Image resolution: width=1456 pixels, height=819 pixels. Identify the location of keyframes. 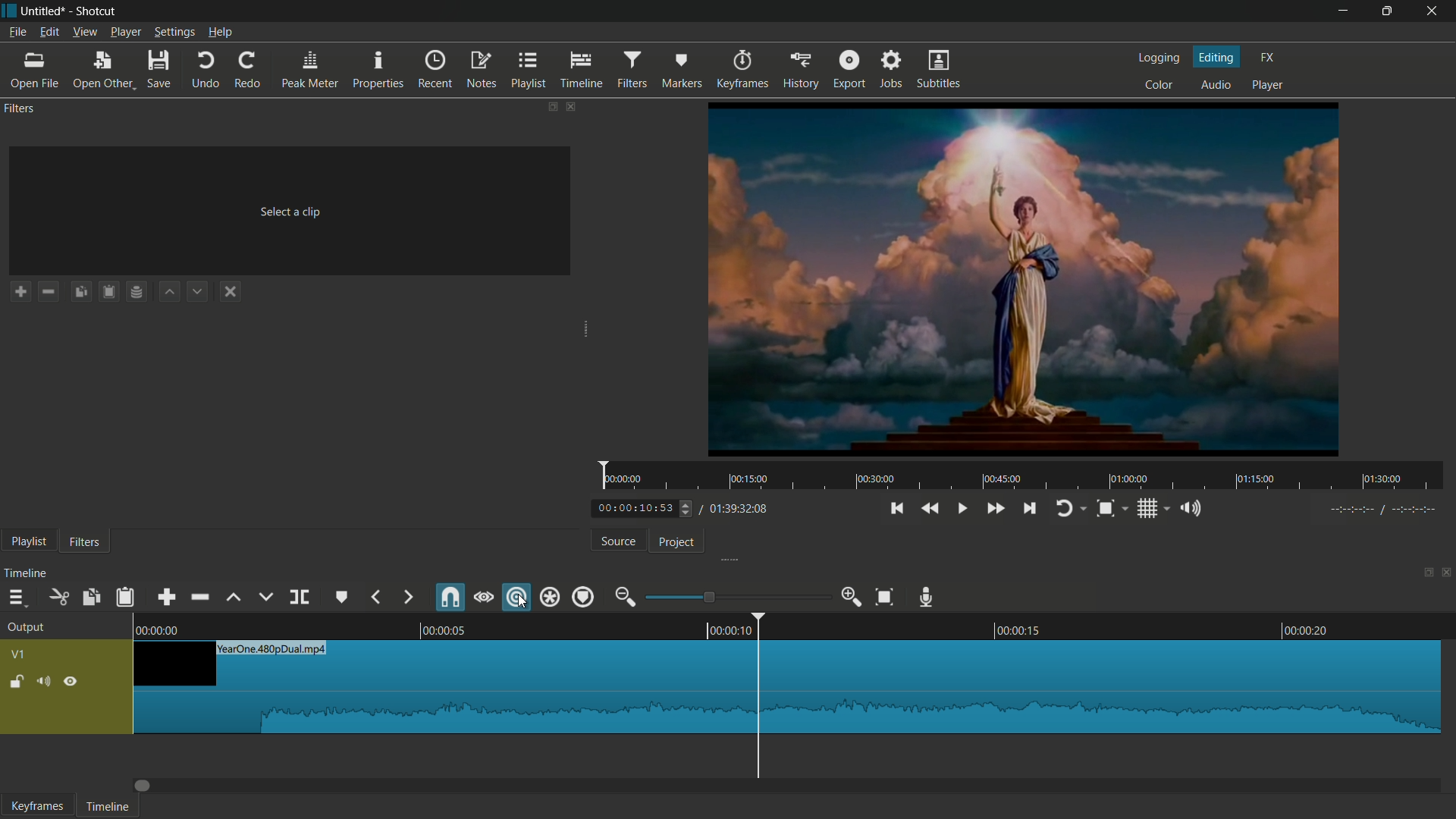
(744, 69).